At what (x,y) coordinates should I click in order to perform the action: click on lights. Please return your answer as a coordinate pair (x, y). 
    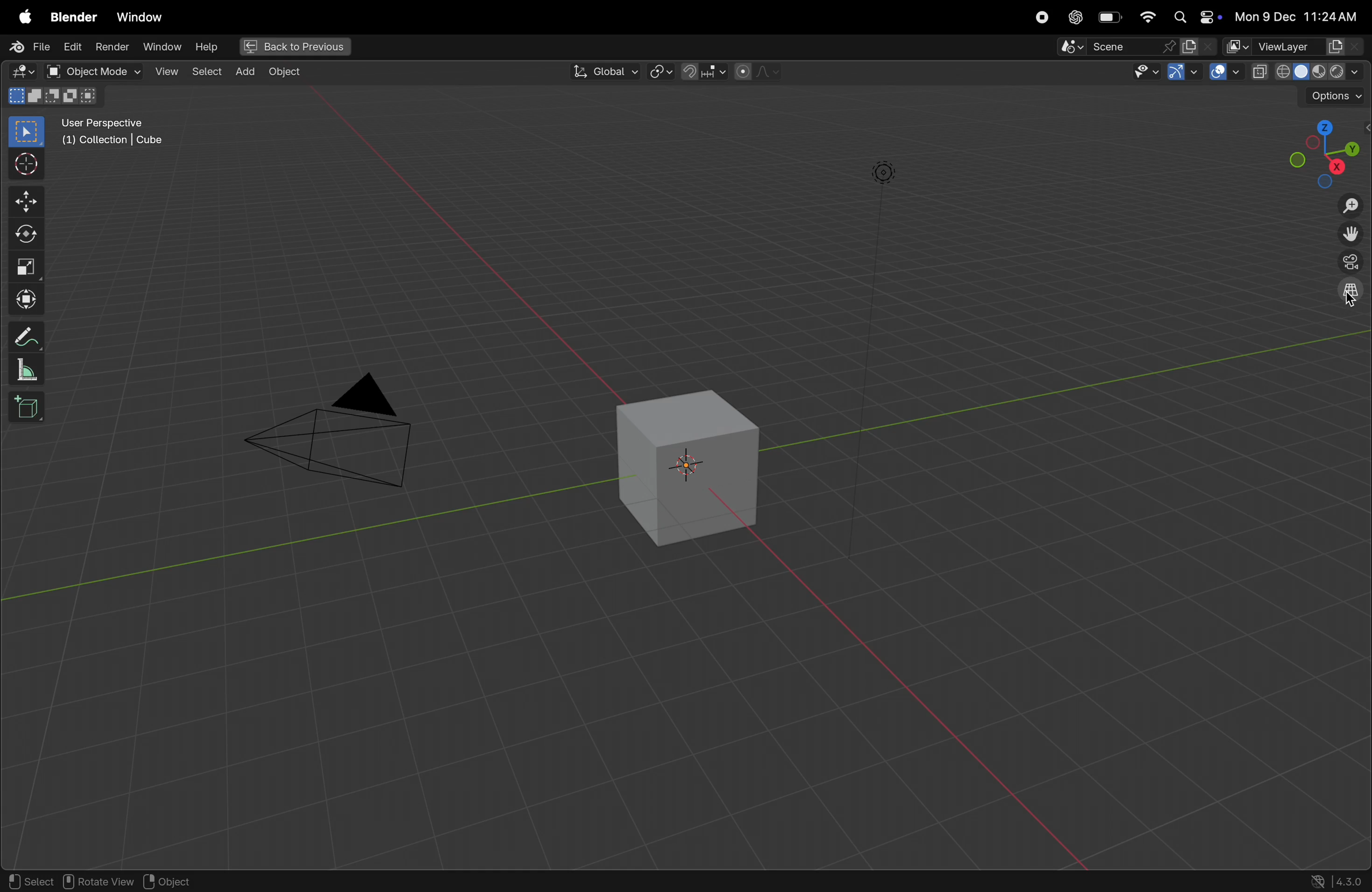
    Looking at the image, I should click on (879, 170).